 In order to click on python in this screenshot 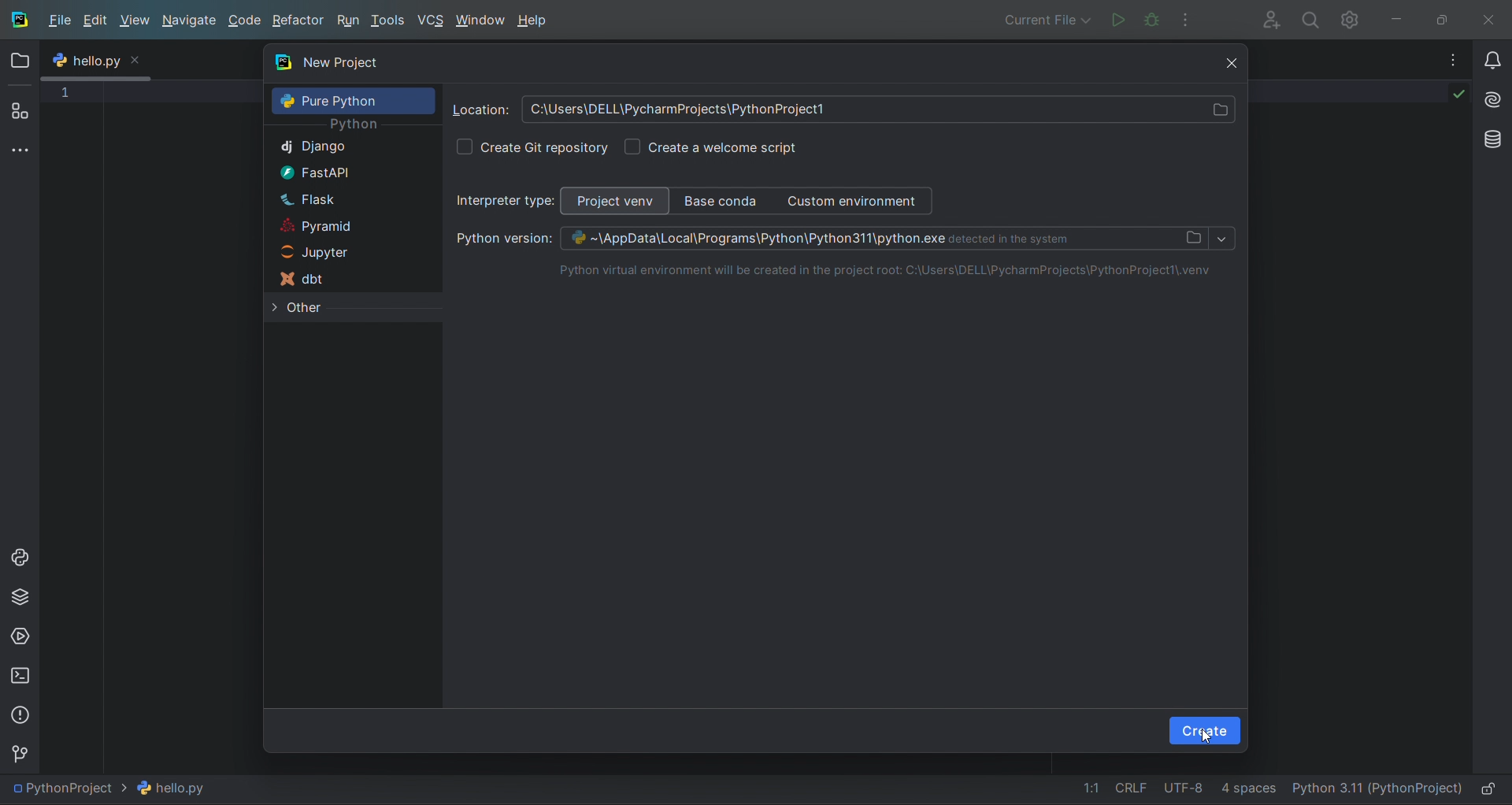, I will do `click(354, 126)`.